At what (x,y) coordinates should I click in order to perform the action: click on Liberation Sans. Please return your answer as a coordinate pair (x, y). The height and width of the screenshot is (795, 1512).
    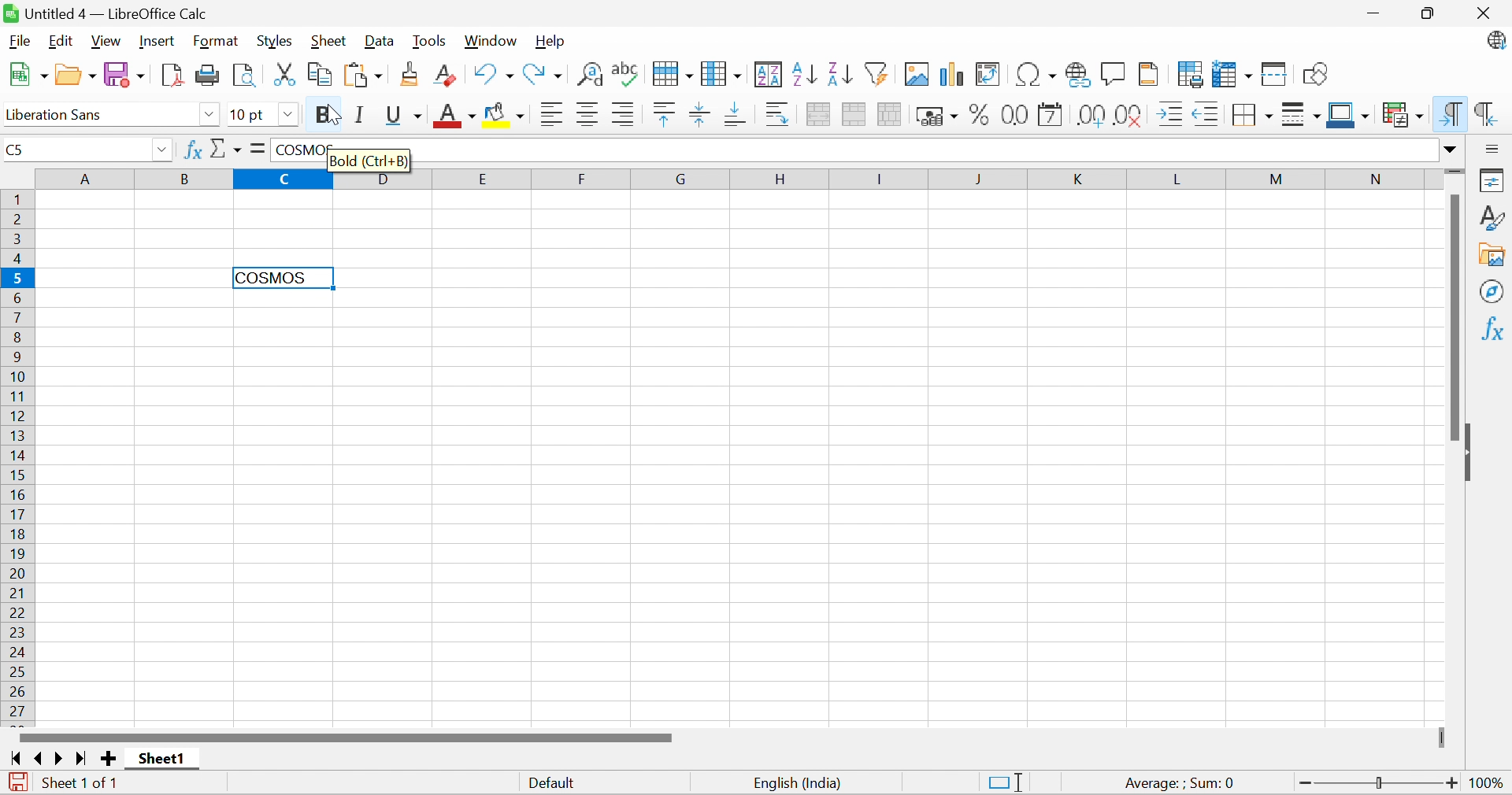
    Looking at the image, I should click on (65, 115).